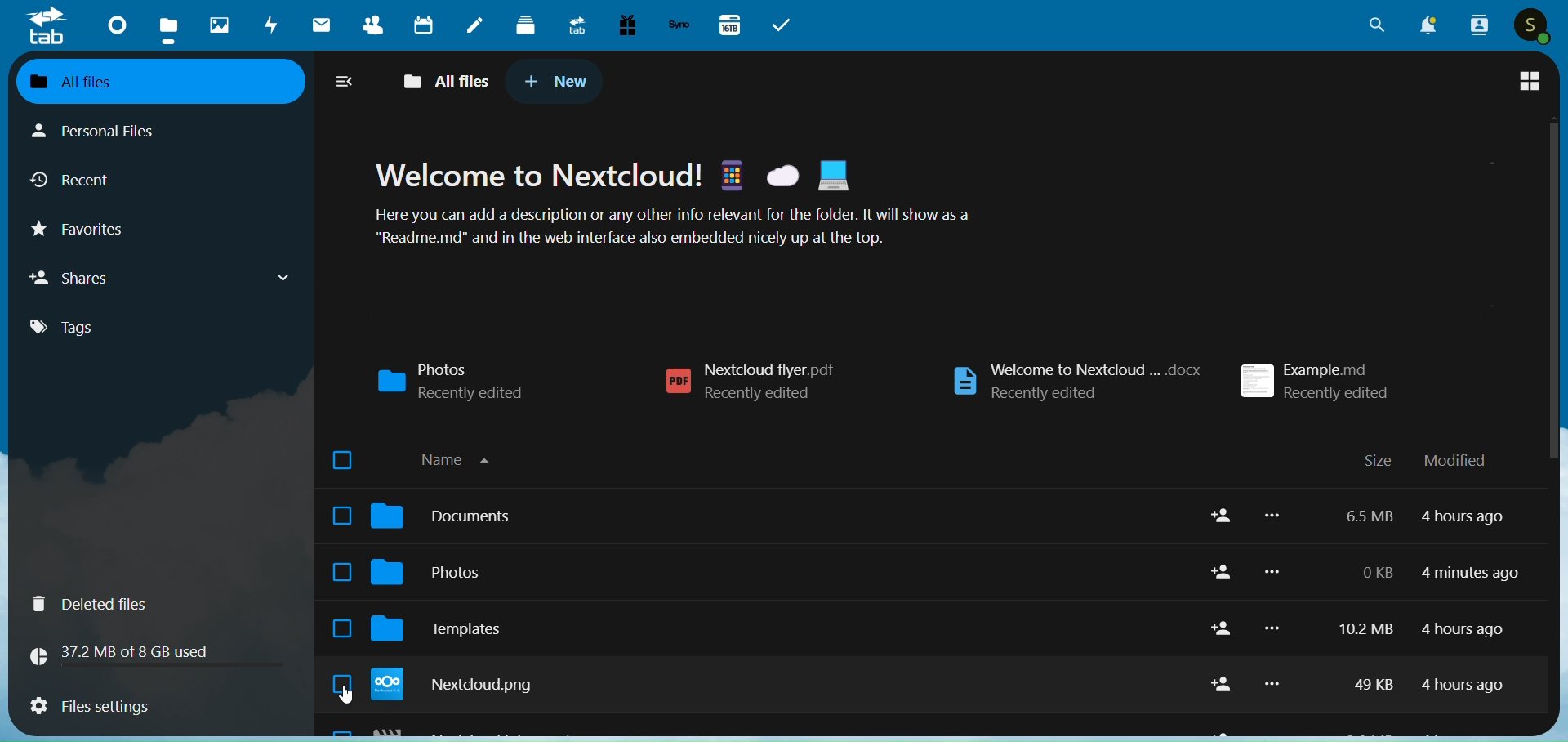 This screenshot has width=1568, height=742. I want to click on Smartphone emoji, so click(731, 174).